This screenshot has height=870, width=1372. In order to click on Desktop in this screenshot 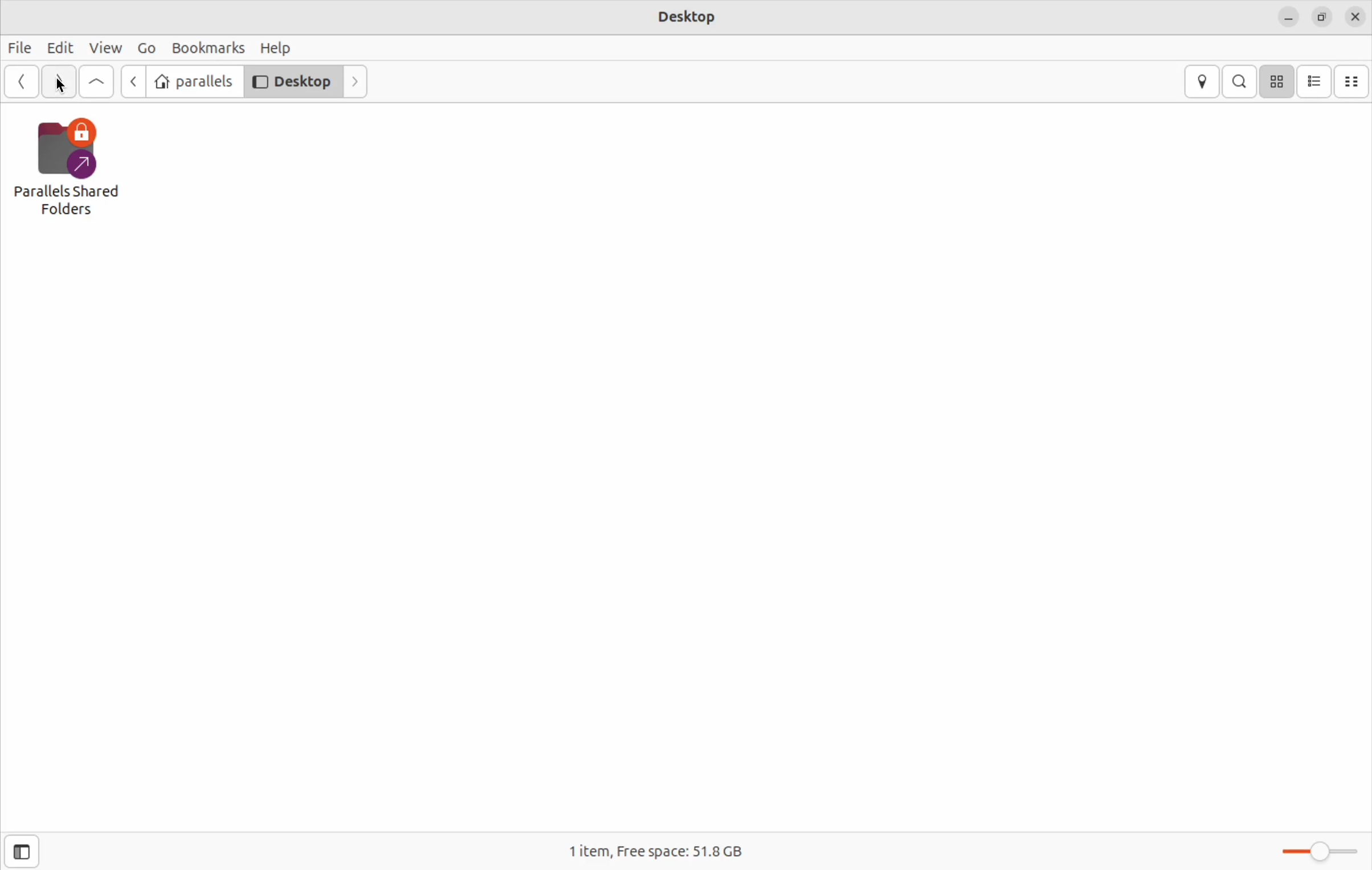, I will do `click(293, 81)`.